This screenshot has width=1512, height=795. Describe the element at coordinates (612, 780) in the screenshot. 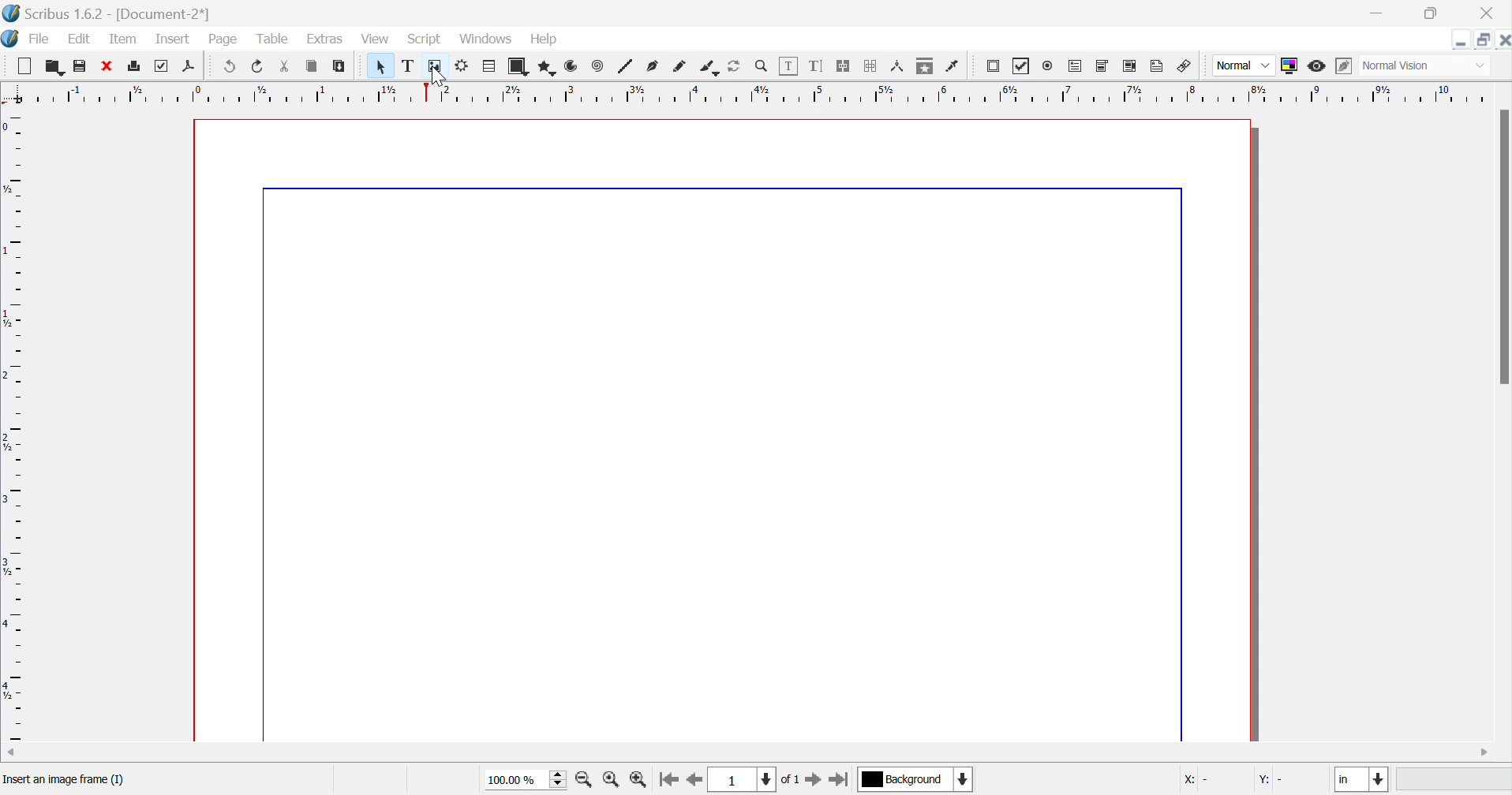

I see `zoom to 100%` at that location.